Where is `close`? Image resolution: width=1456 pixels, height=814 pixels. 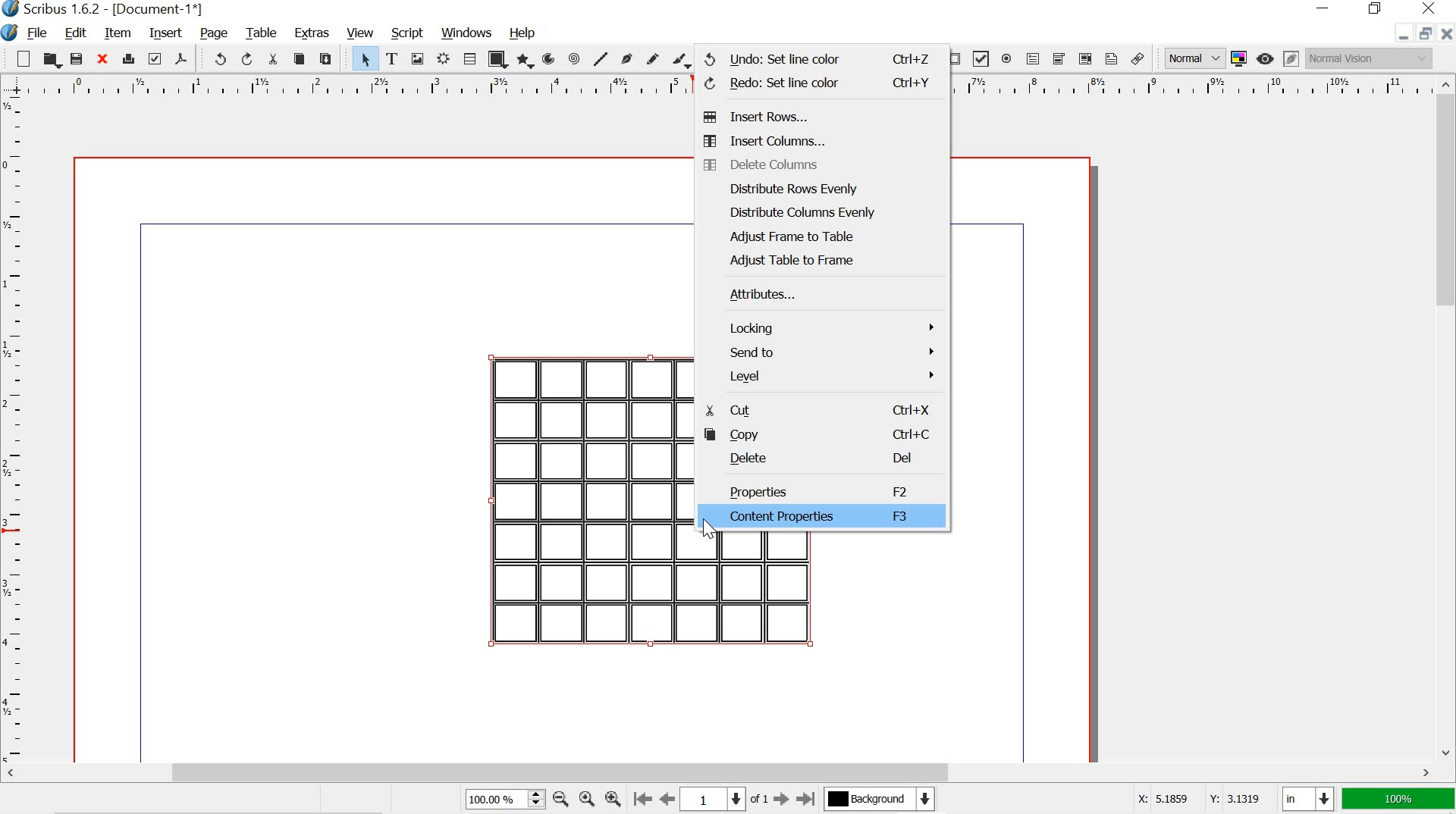
close is located at coordinates (104, 60).